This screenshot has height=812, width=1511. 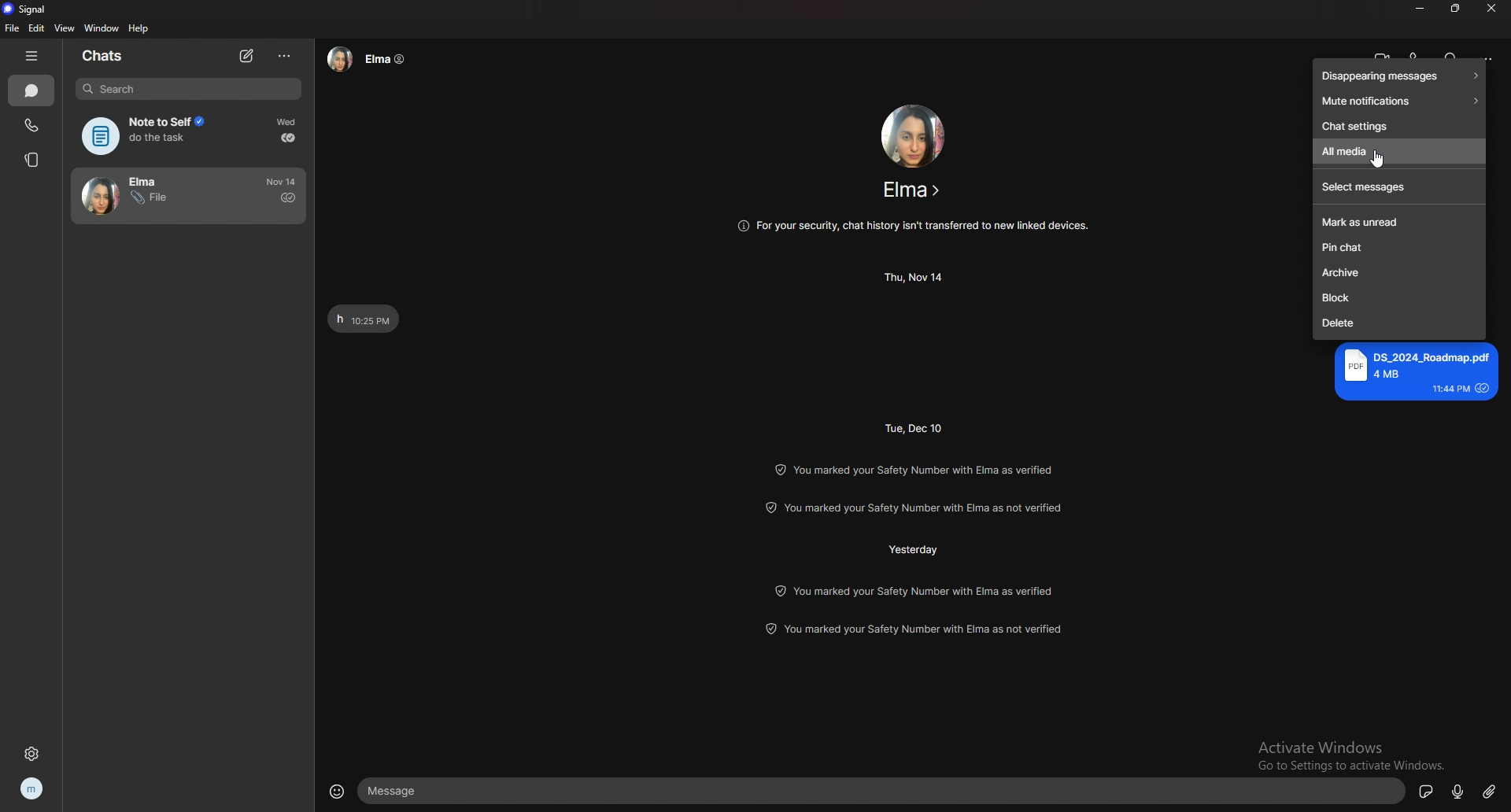 What do you see at coordinates (12, 28) in the screenshot?
I see `file` at bounding box center [12, 28].